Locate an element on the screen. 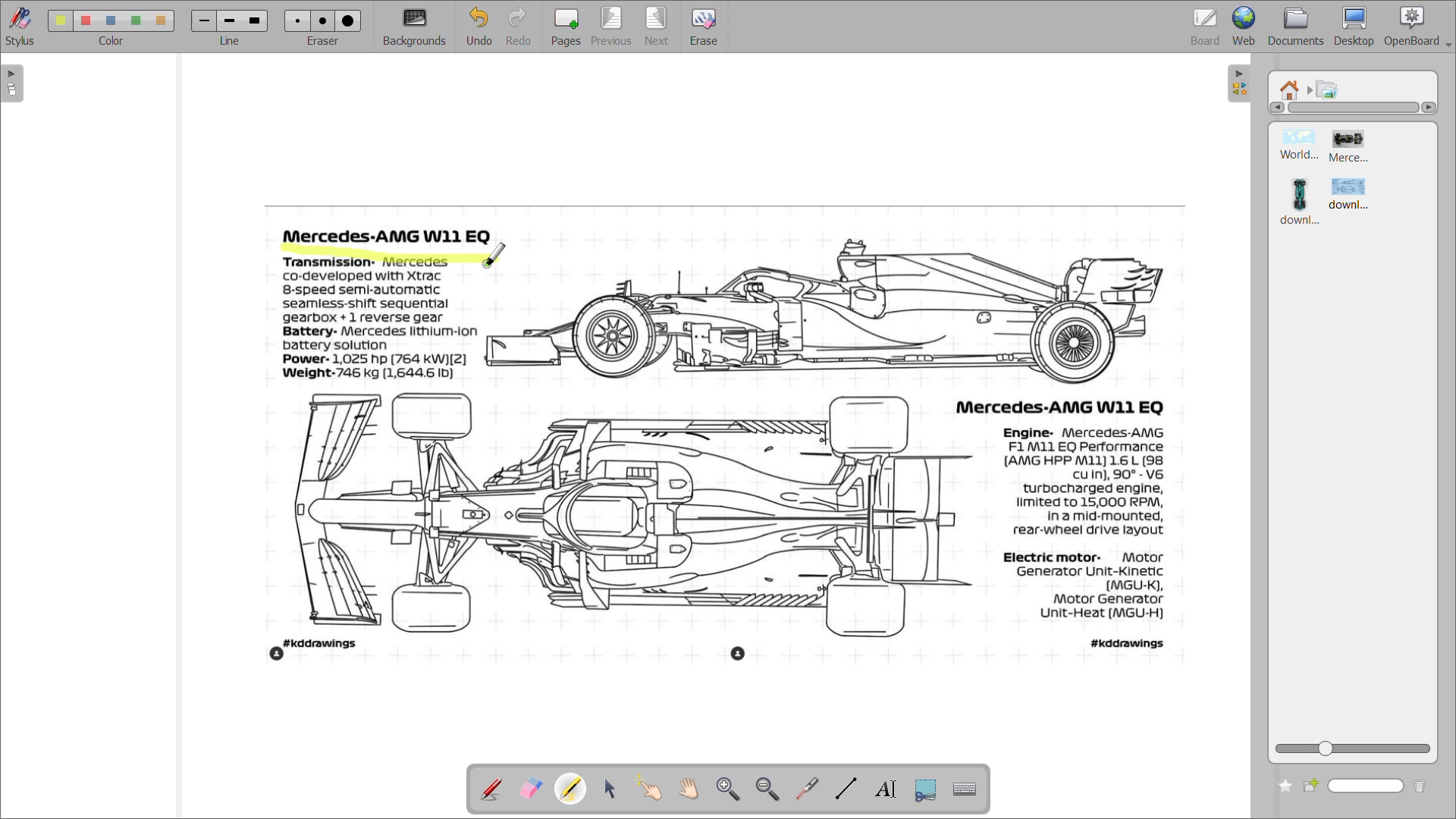  scroll page is located at coordinates (692, 787).